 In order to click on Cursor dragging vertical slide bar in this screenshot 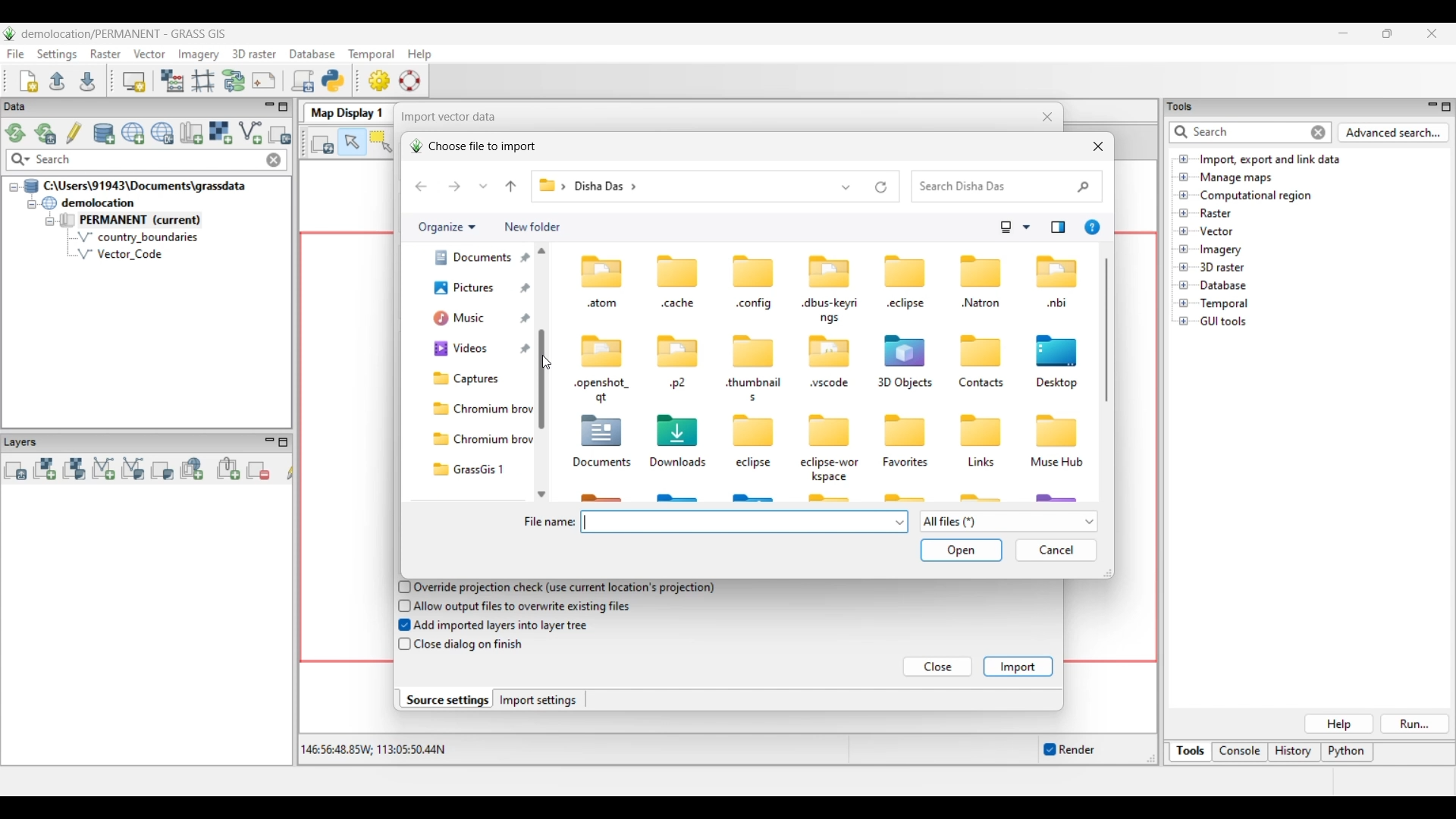, I will do `click(546, 362)`.